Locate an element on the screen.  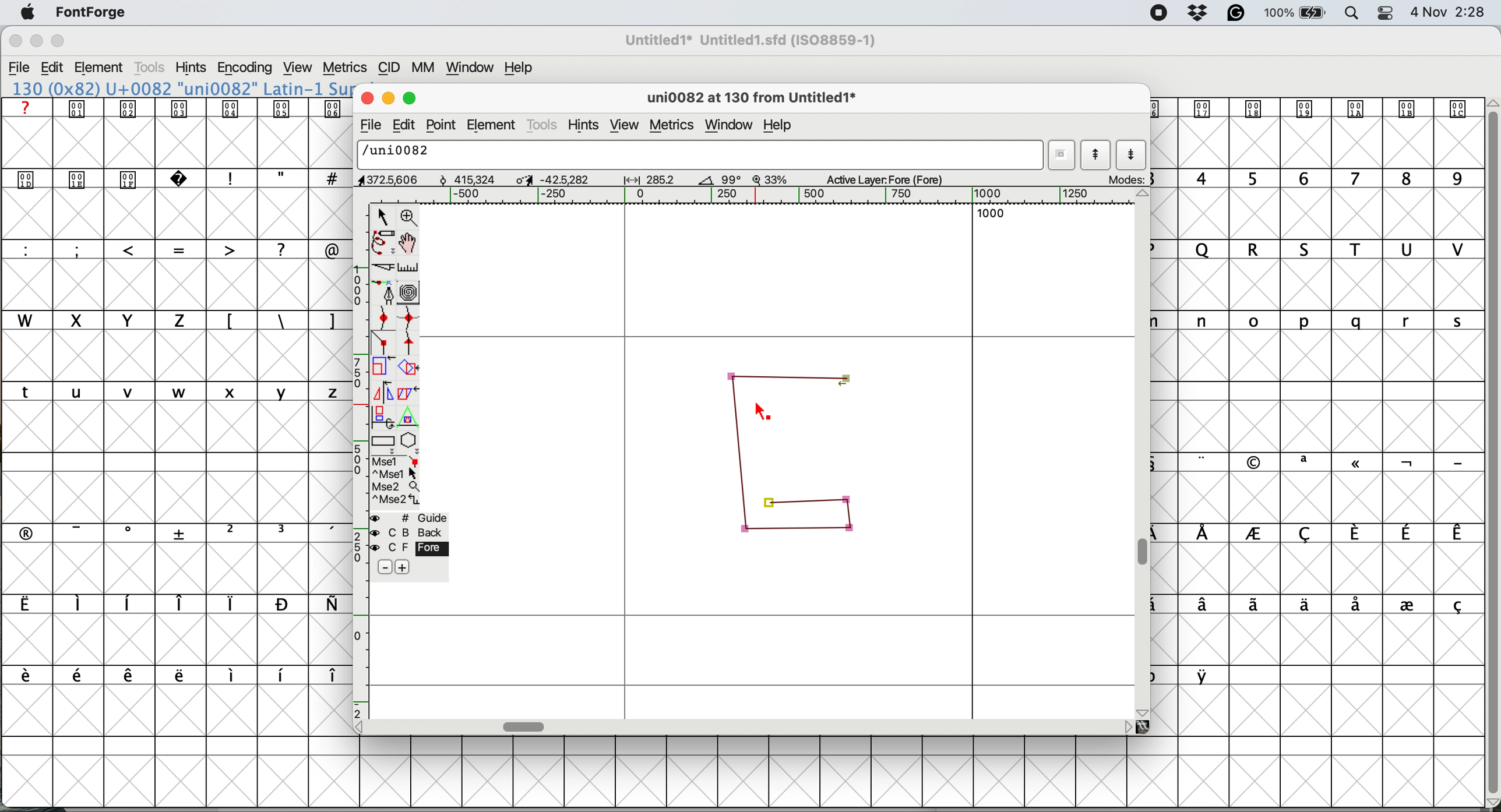
dimensions is located at coordinates (541, 179).